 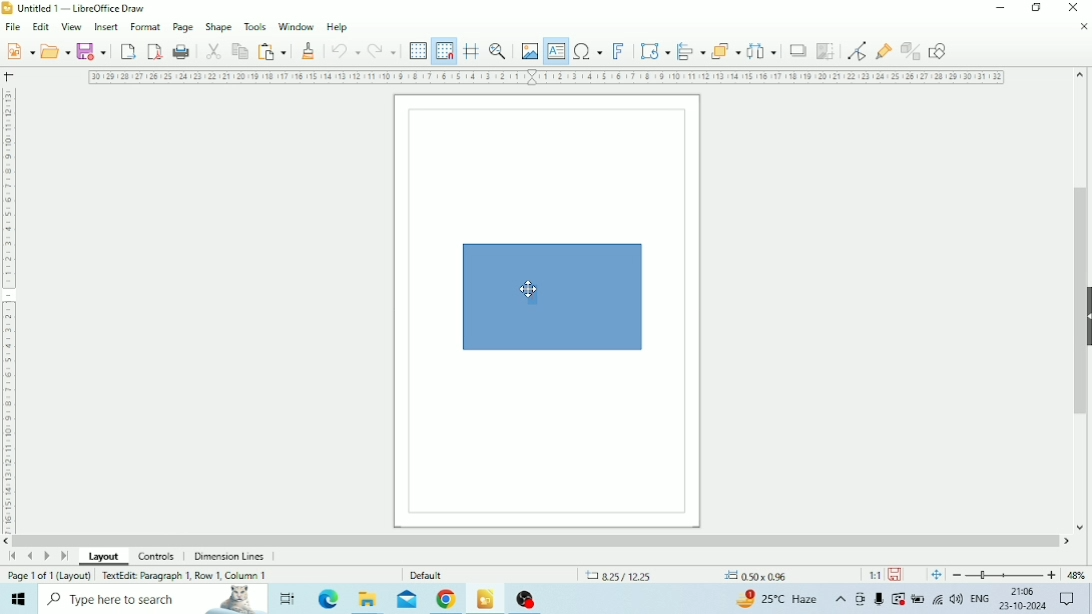 What do you see at coordinates (12, 27) in the screenshot?
I see `File` at bounding box center [12, 27].